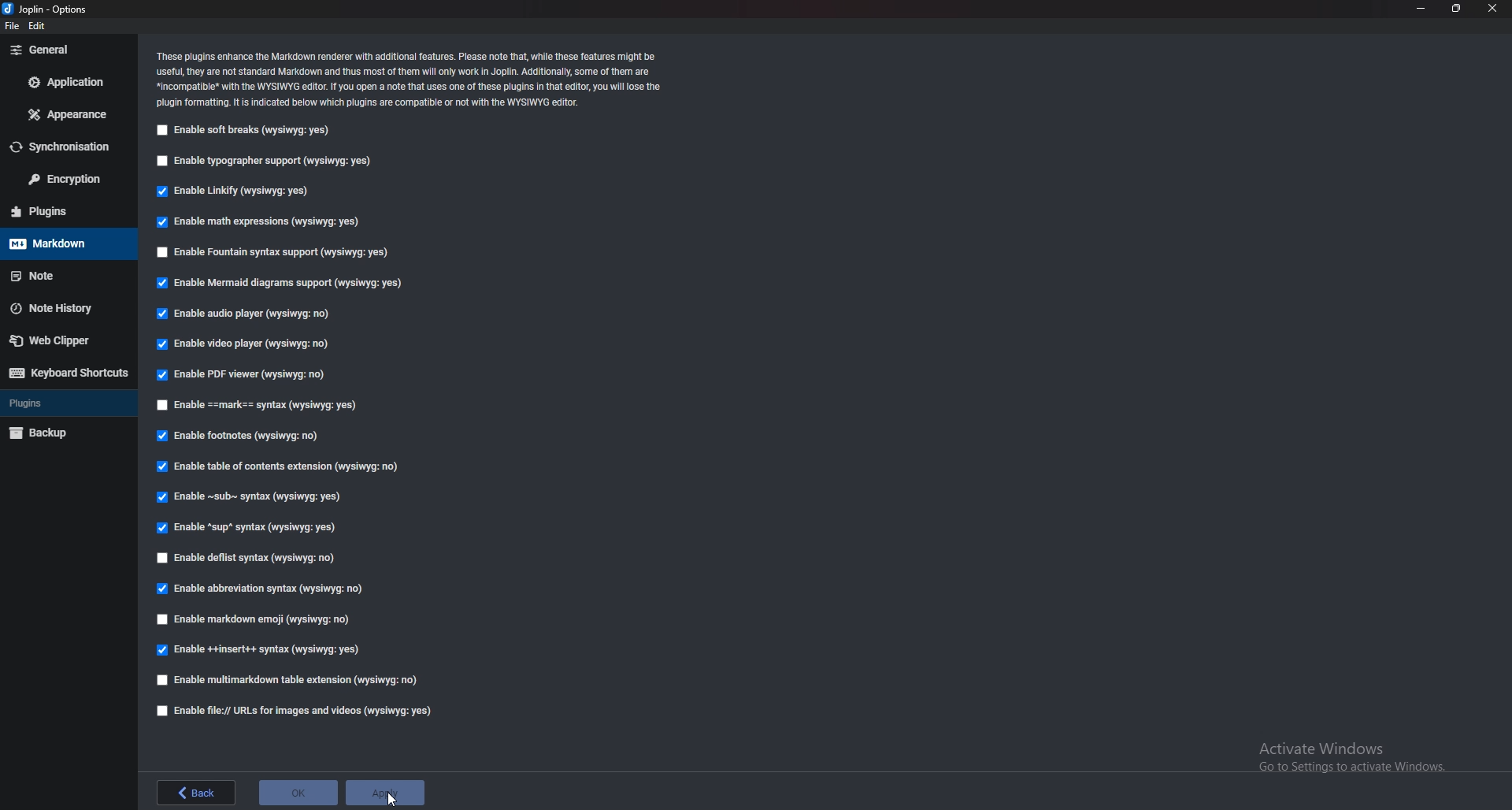  I want to click on Mark down, so click(61, 243).